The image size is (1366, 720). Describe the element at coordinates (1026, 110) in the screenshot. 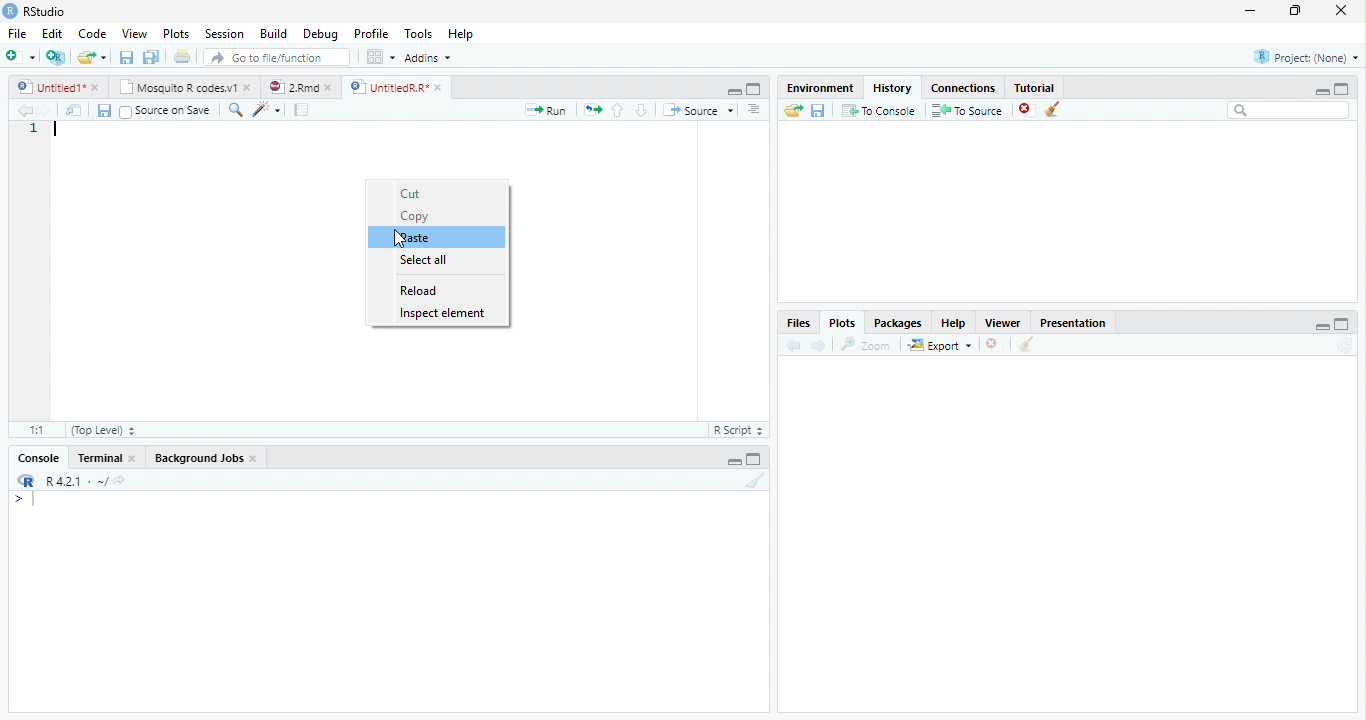

I see `close` at that location.